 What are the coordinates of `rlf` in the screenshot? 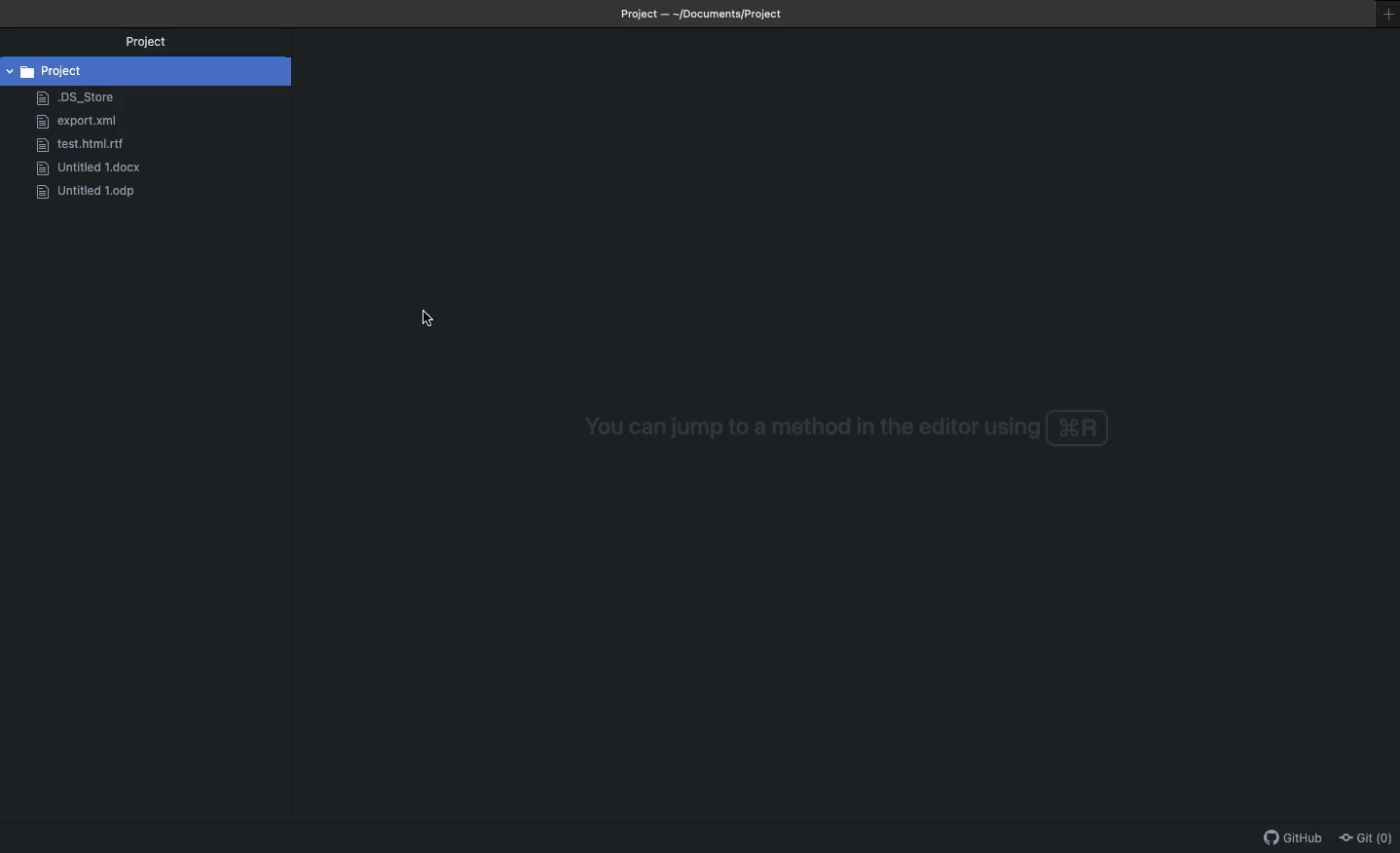 It's located at (72, 144).